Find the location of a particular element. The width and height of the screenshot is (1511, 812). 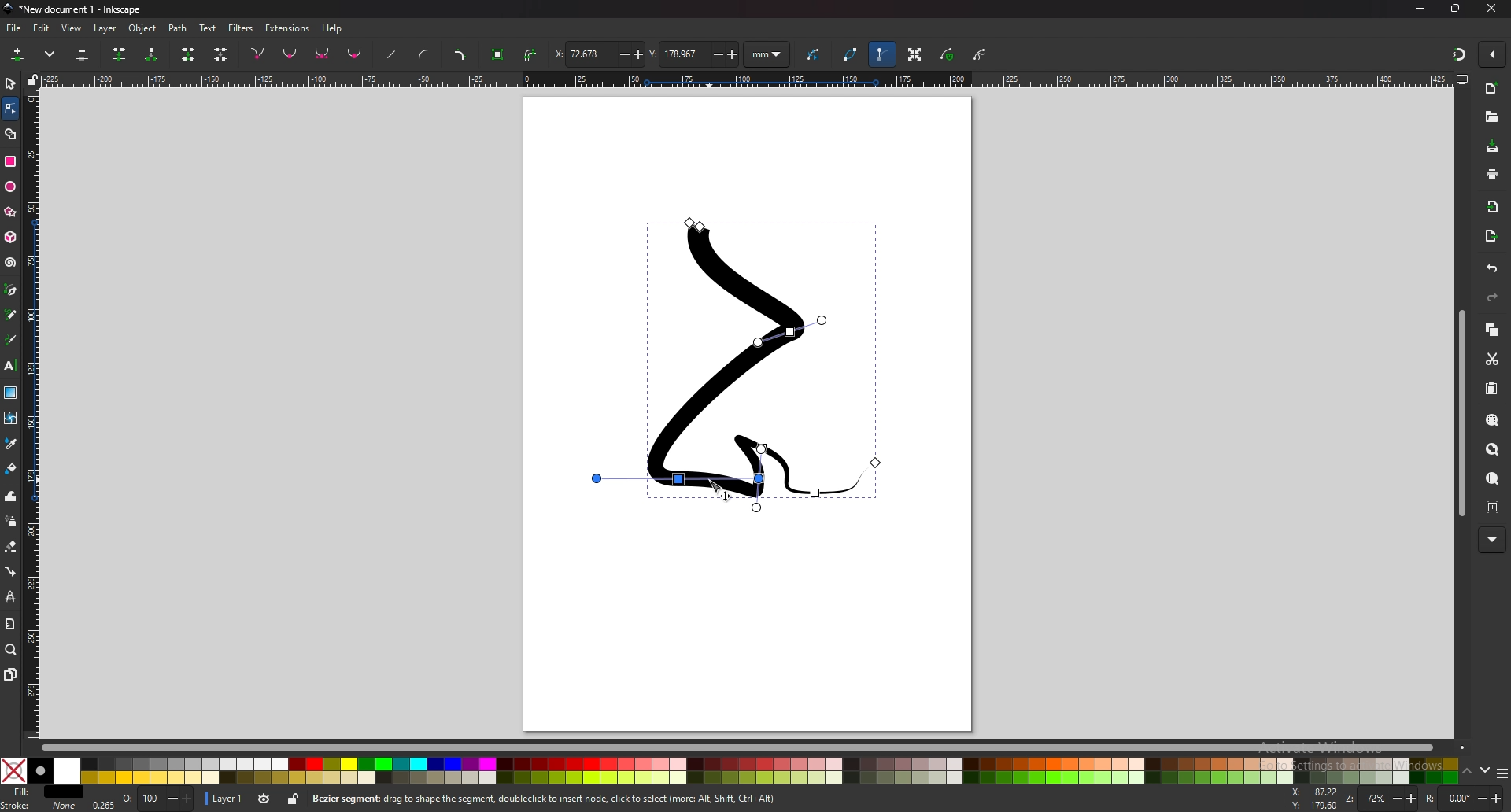

new is located at coordinates (1492, 90).